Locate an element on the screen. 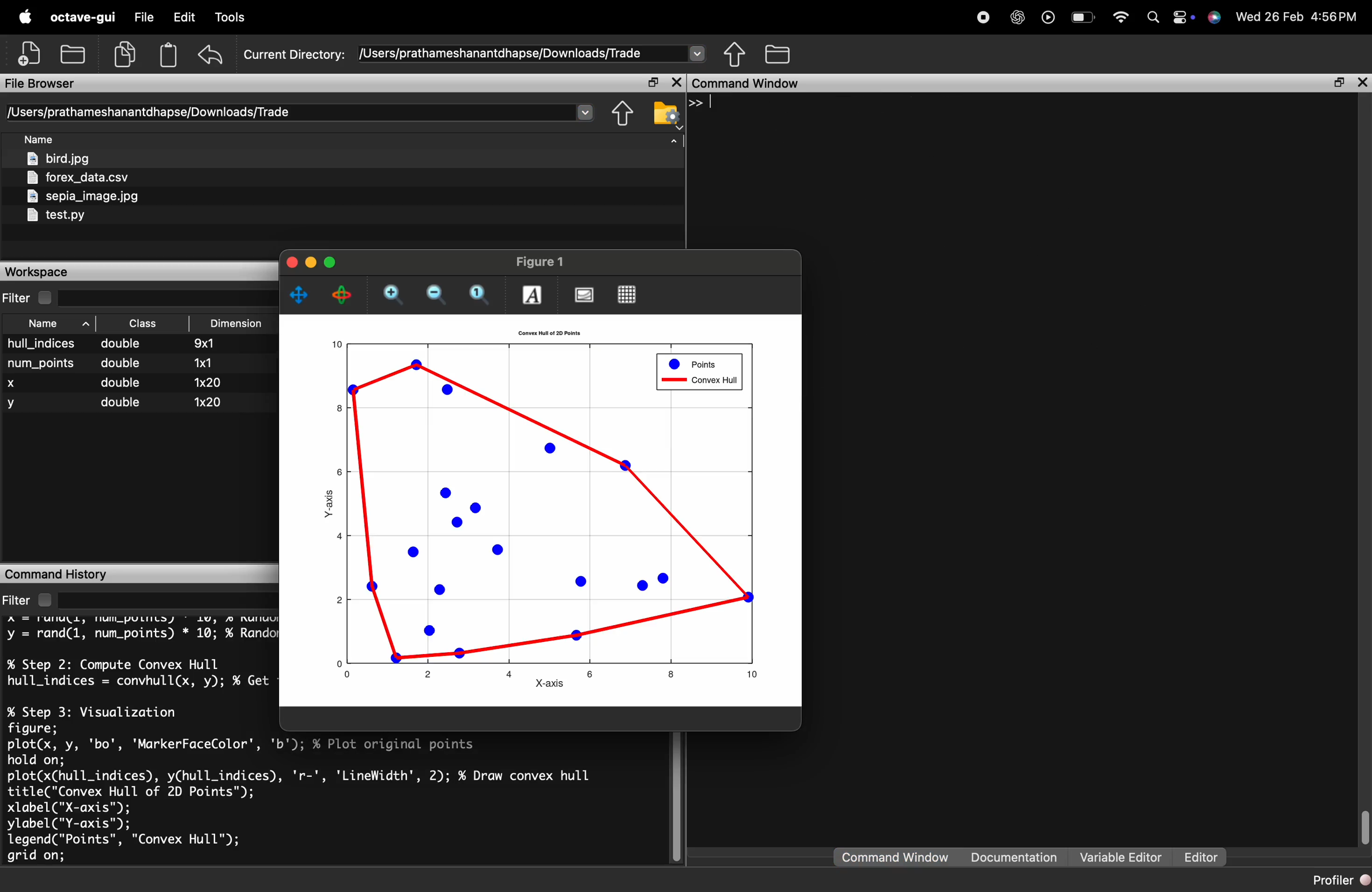 This screenshot has height=892, width=1372. % Step 2: Compute Convex Hullhull_indices = convhull(x, y); % Get% Step 3: Visualization figure; is located at coordinates (139, 694).